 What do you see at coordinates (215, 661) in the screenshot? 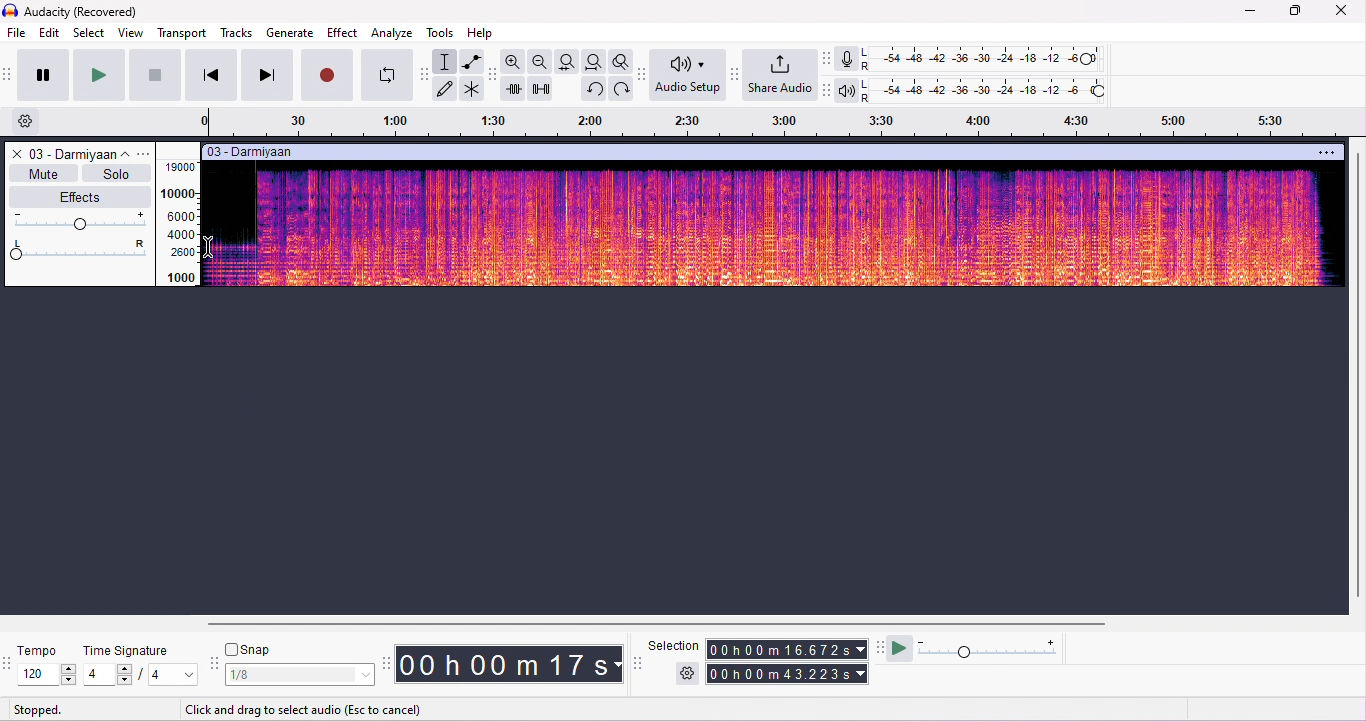
I see `snap tool bar` at bounding box center [215, 661].